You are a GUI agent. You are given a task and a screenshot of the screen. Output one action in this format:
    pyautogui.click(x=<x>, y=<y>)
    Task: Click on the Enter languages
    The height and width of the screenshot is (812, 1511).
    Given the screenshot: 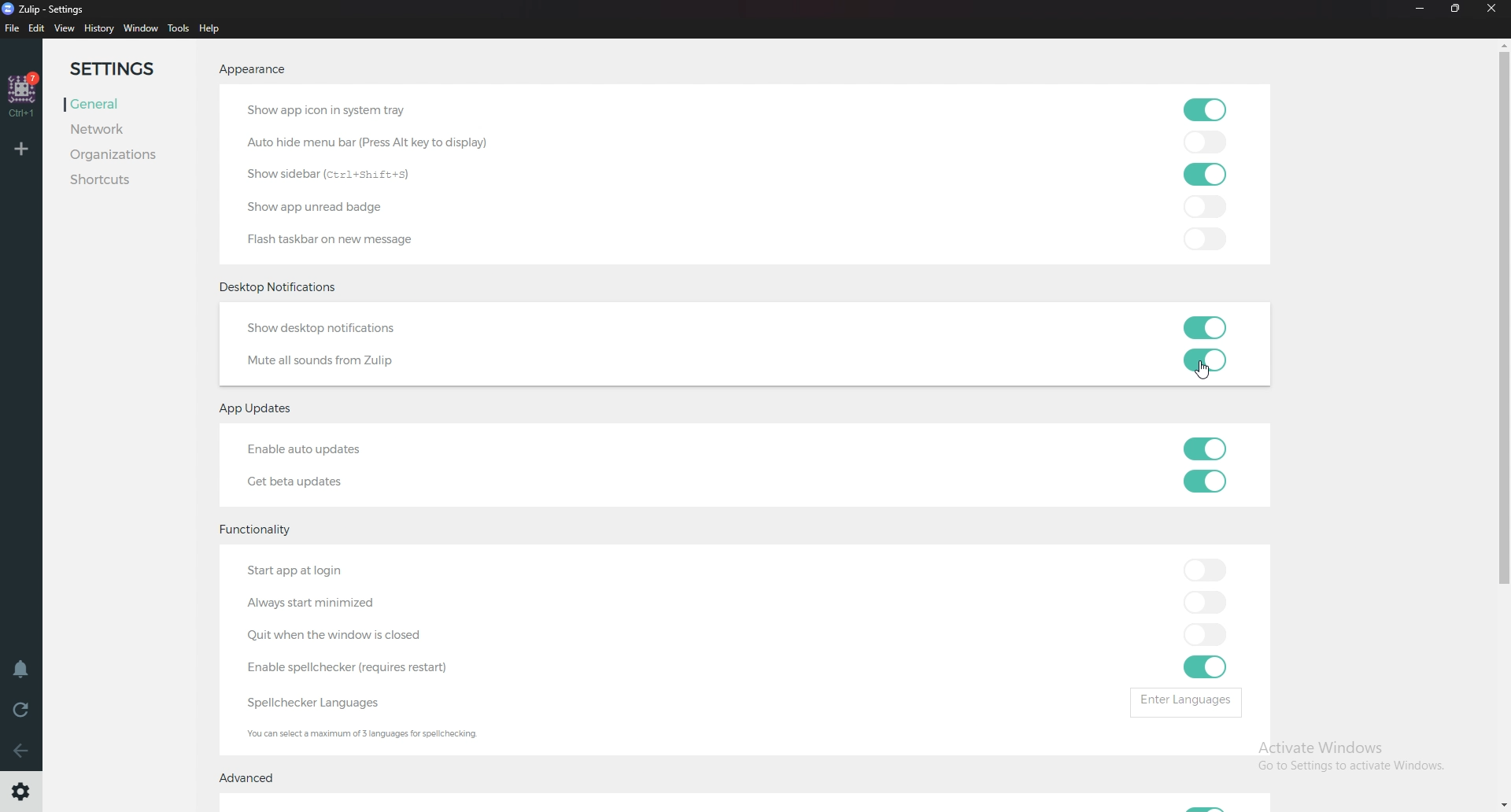 What is the action you would take?
    pyautogui.click(x=1191, y=703)
    